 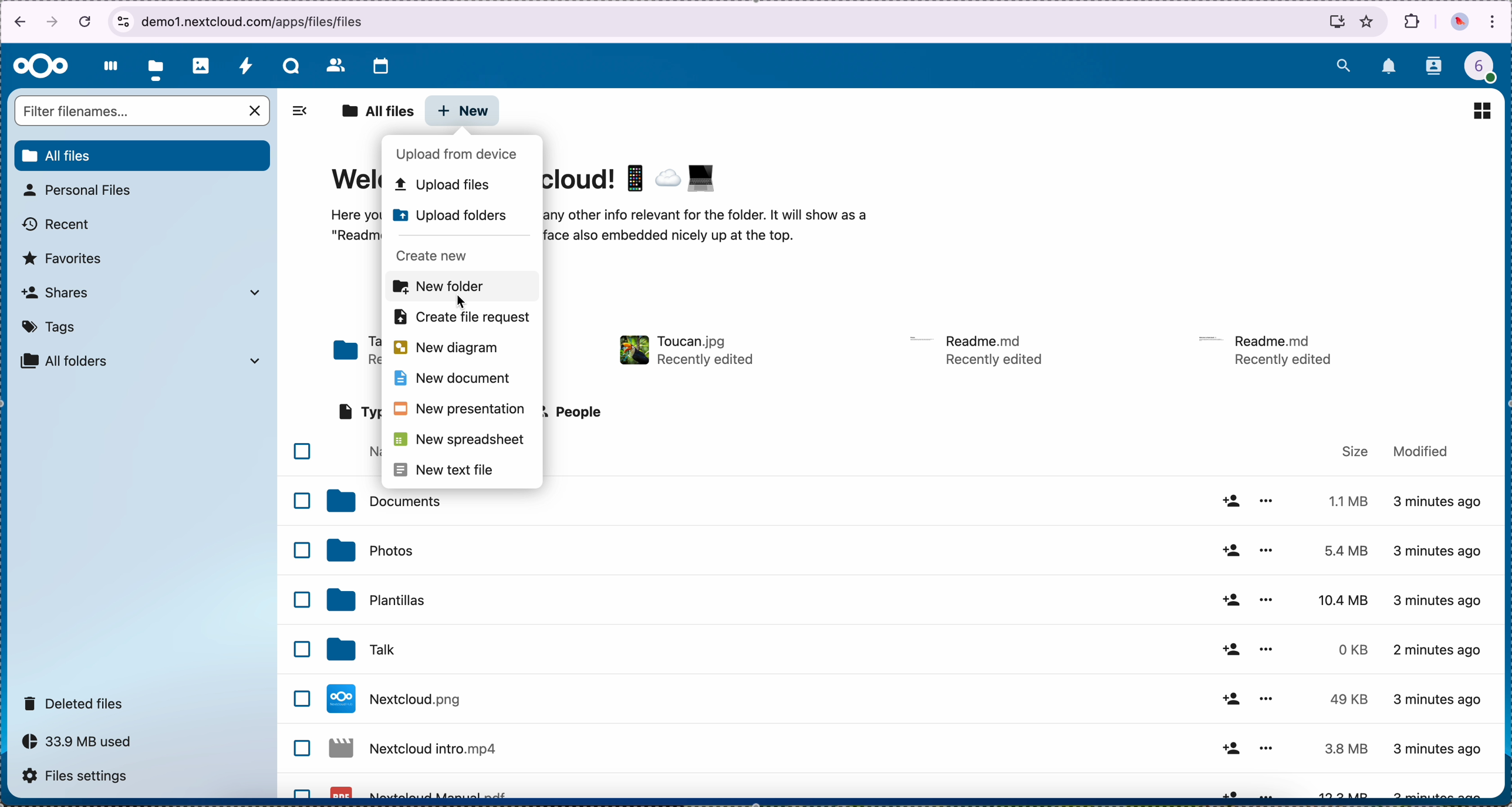 What do you see at coordinates (1231, 601) in the screenshot?
I see `share` at bounding box center [1231, 601].